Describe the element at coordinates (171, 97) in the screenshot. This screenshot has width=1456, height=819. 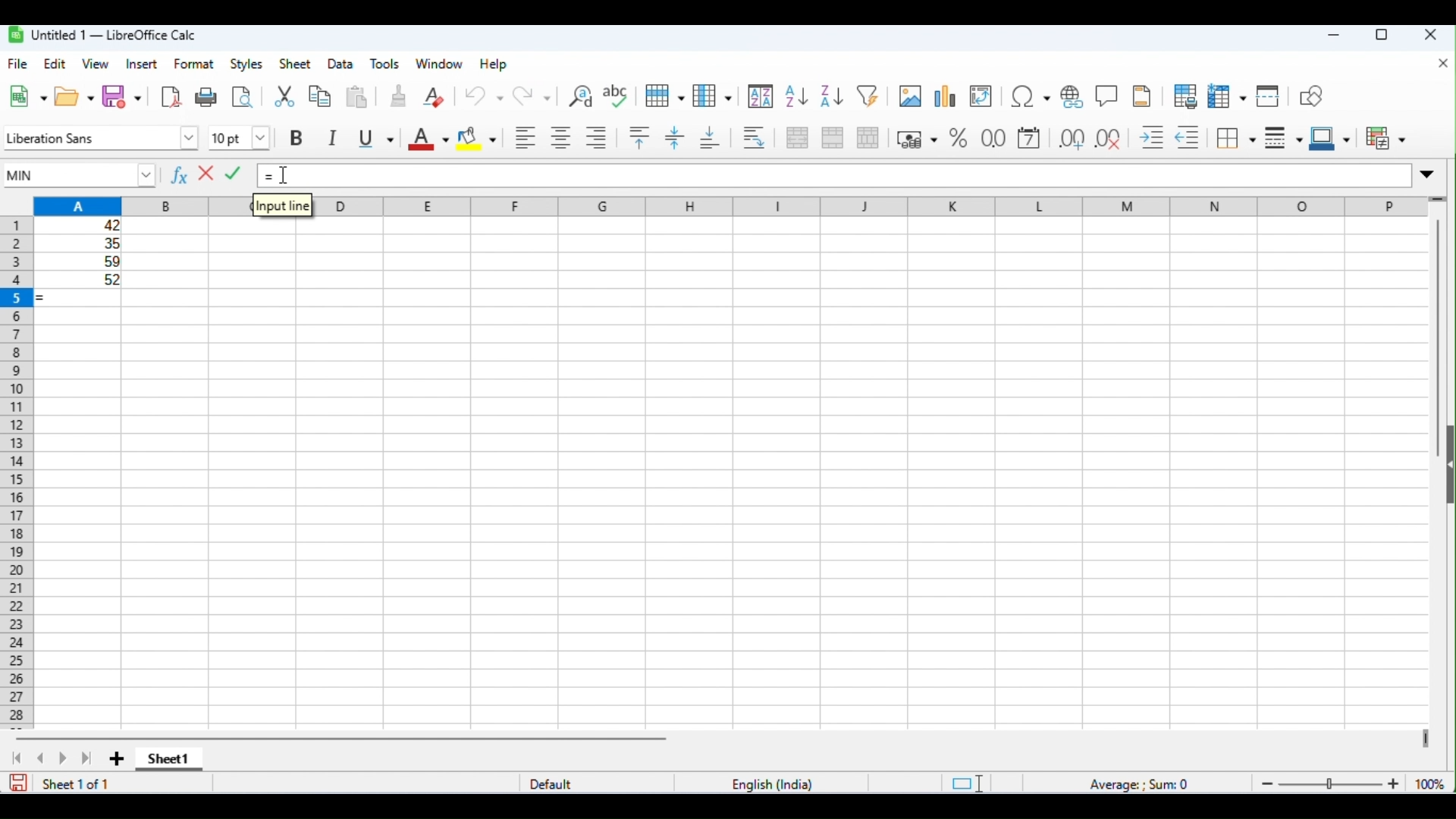
I see `export as pdf` at that location.